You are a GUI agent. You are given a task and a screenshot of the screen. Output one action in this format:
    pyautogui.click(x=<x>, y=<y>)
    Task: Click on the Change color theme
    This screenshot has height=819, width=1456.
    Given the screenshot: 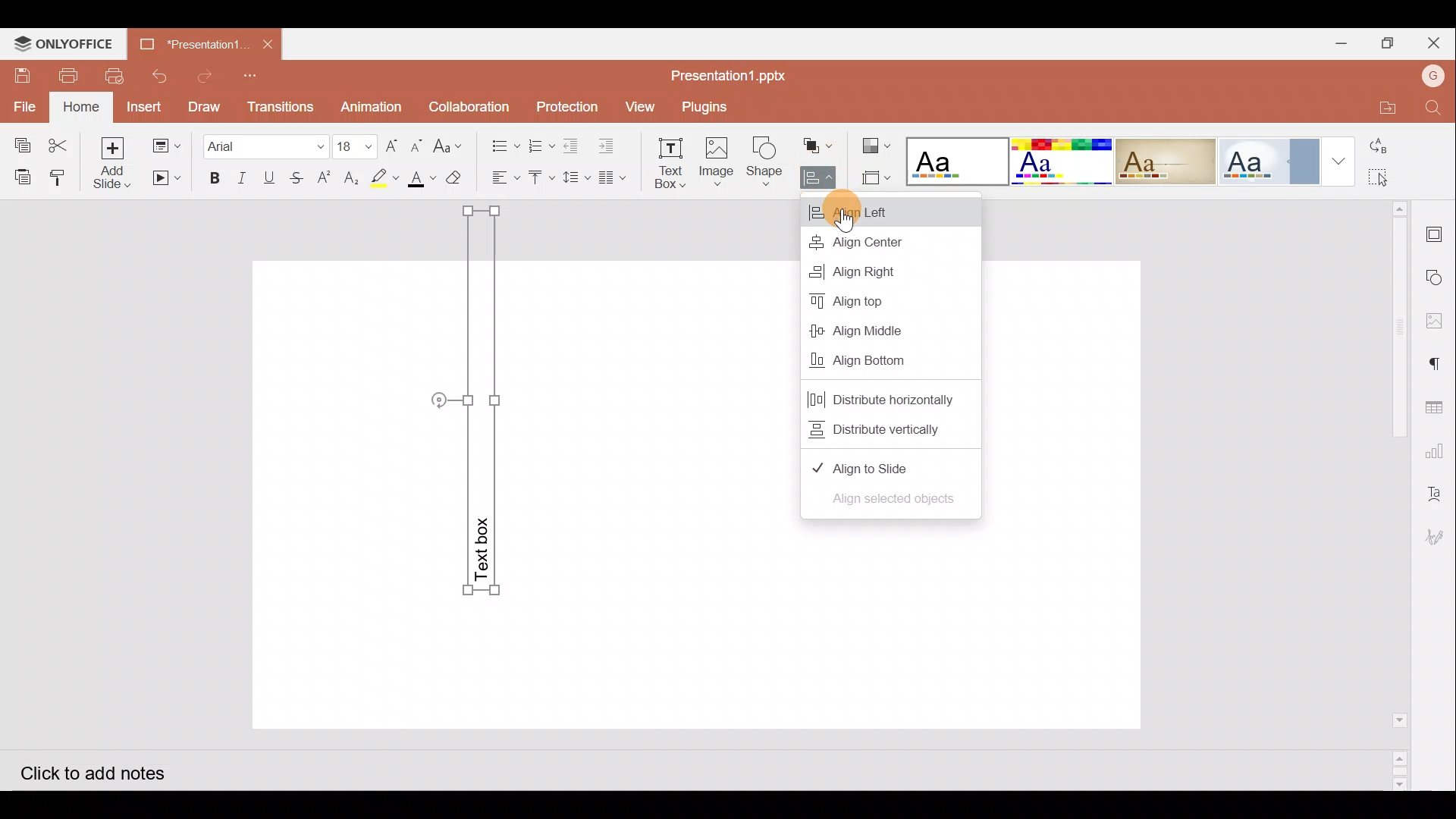 What is the action you would take?
    pyautogui.click(x=875, y=145)
    